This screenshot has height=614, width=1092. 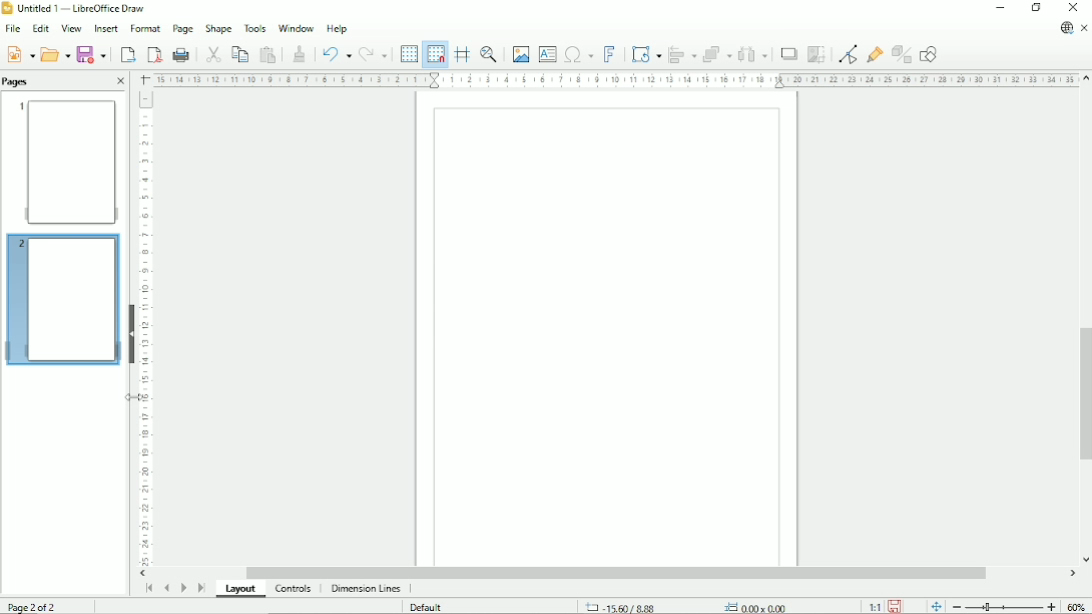 I want to click on Close document, so click(x=1085, y=29).